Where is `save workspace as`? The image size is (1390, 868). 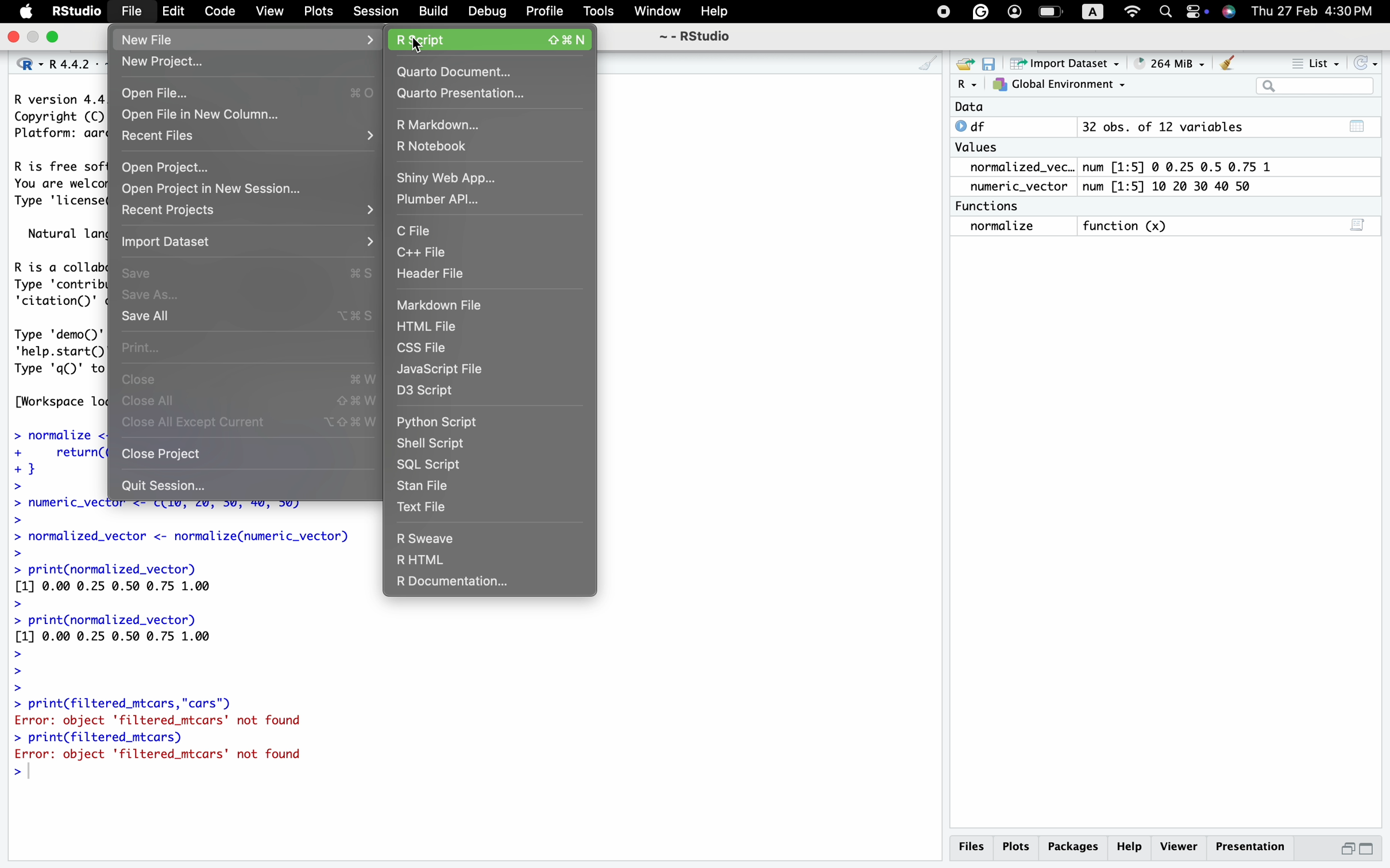 save workspace as is located at coordinates (993, 64).